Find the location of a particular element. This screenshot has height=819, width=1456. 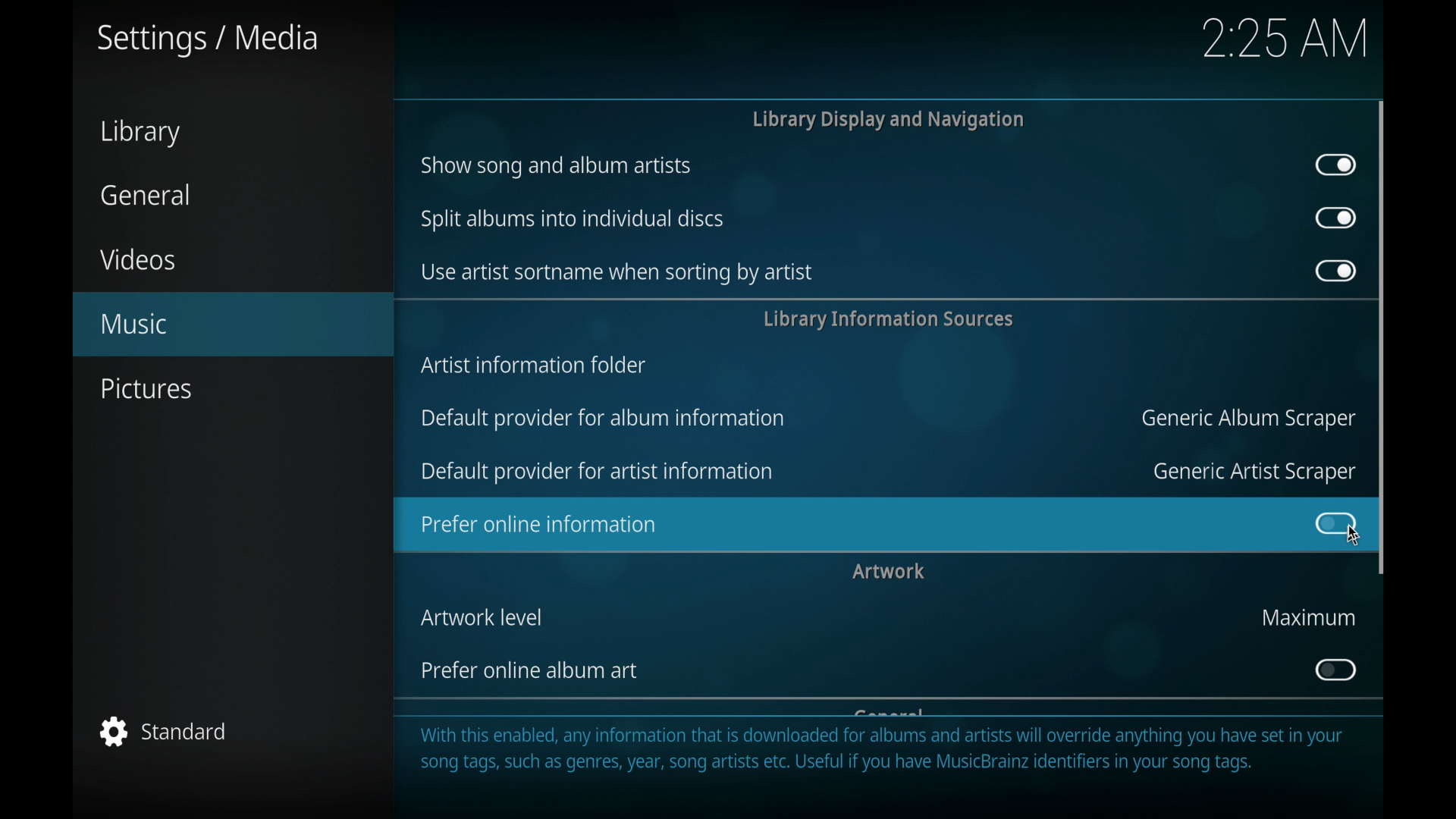

2:25 AM is located at coordinates (1277, 48).